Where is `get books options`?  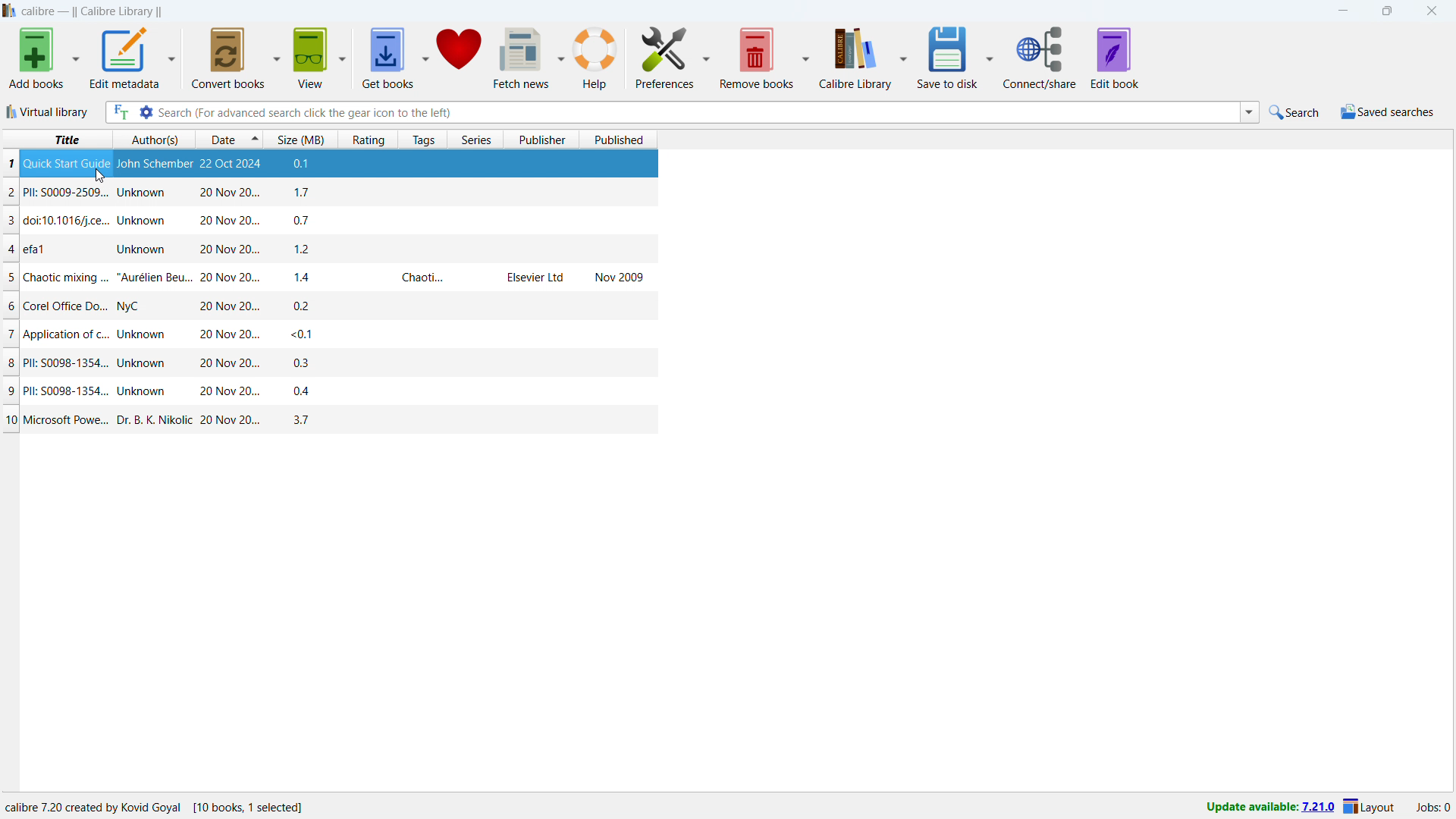 get books options is located at coordinates (425, 57).